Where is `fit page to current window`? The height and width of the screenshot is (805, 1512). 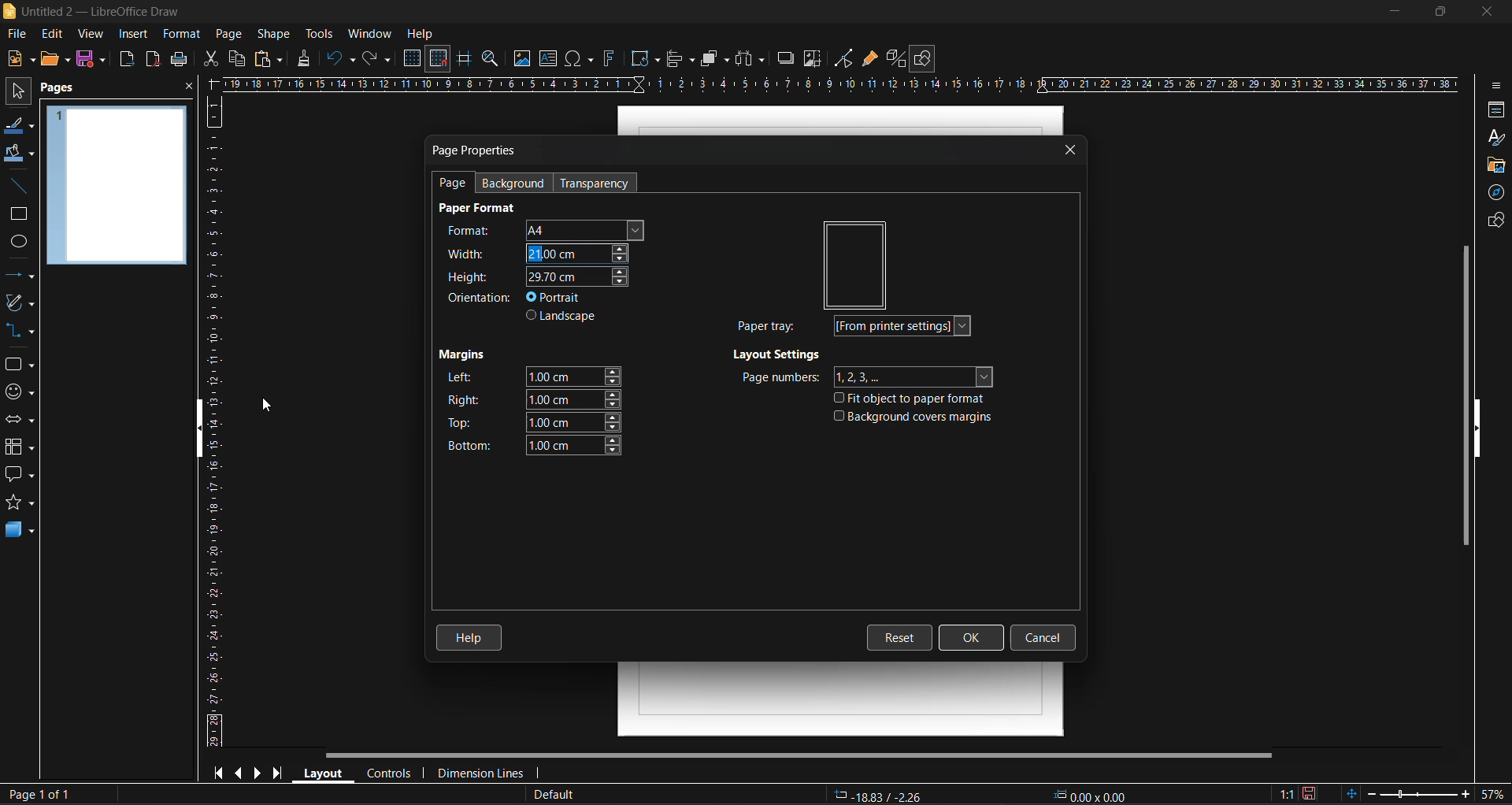
fit page to current window is located at coordinates (1351, 793).